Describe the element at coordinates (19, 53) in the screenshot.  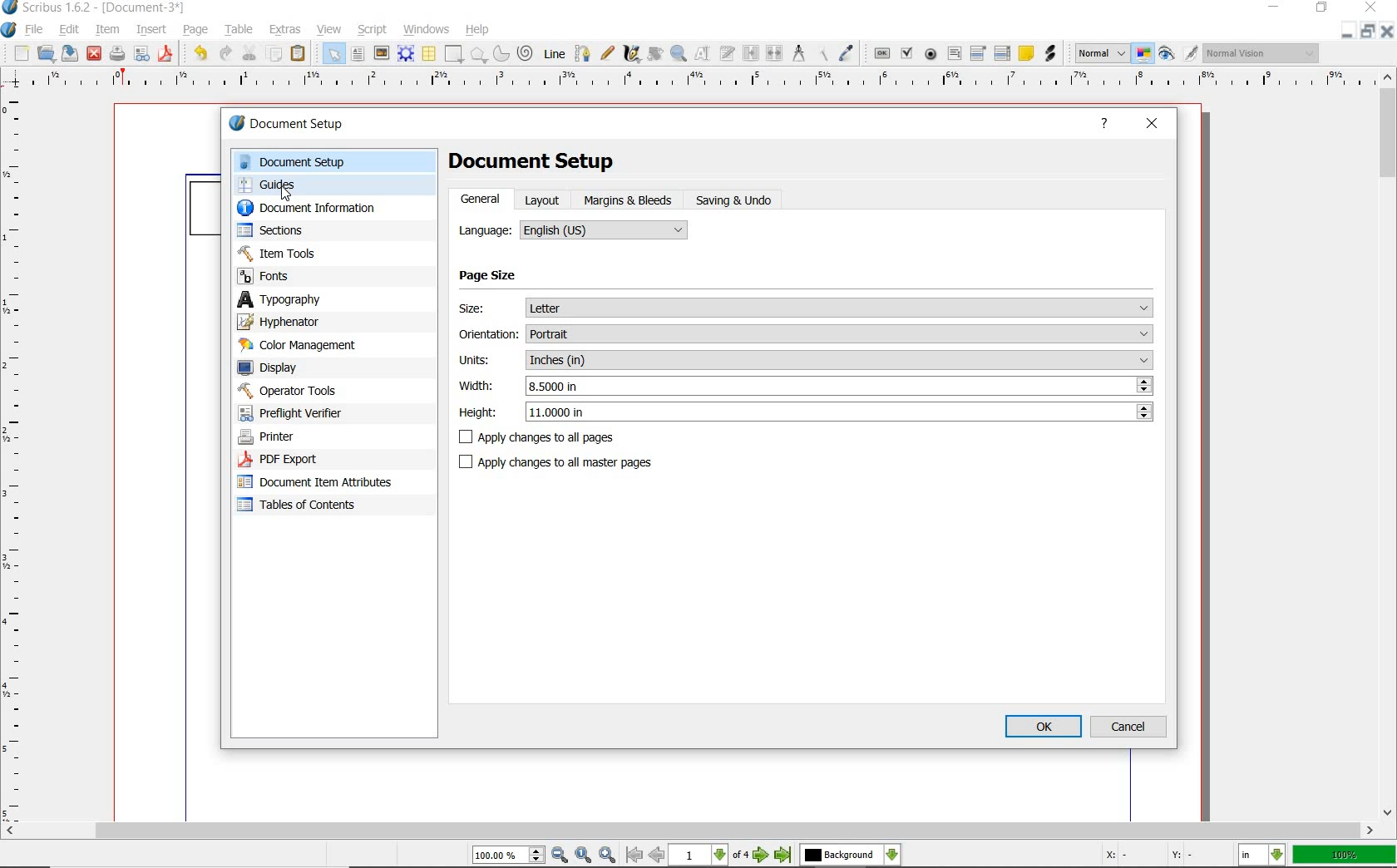
I see `new` at that location.